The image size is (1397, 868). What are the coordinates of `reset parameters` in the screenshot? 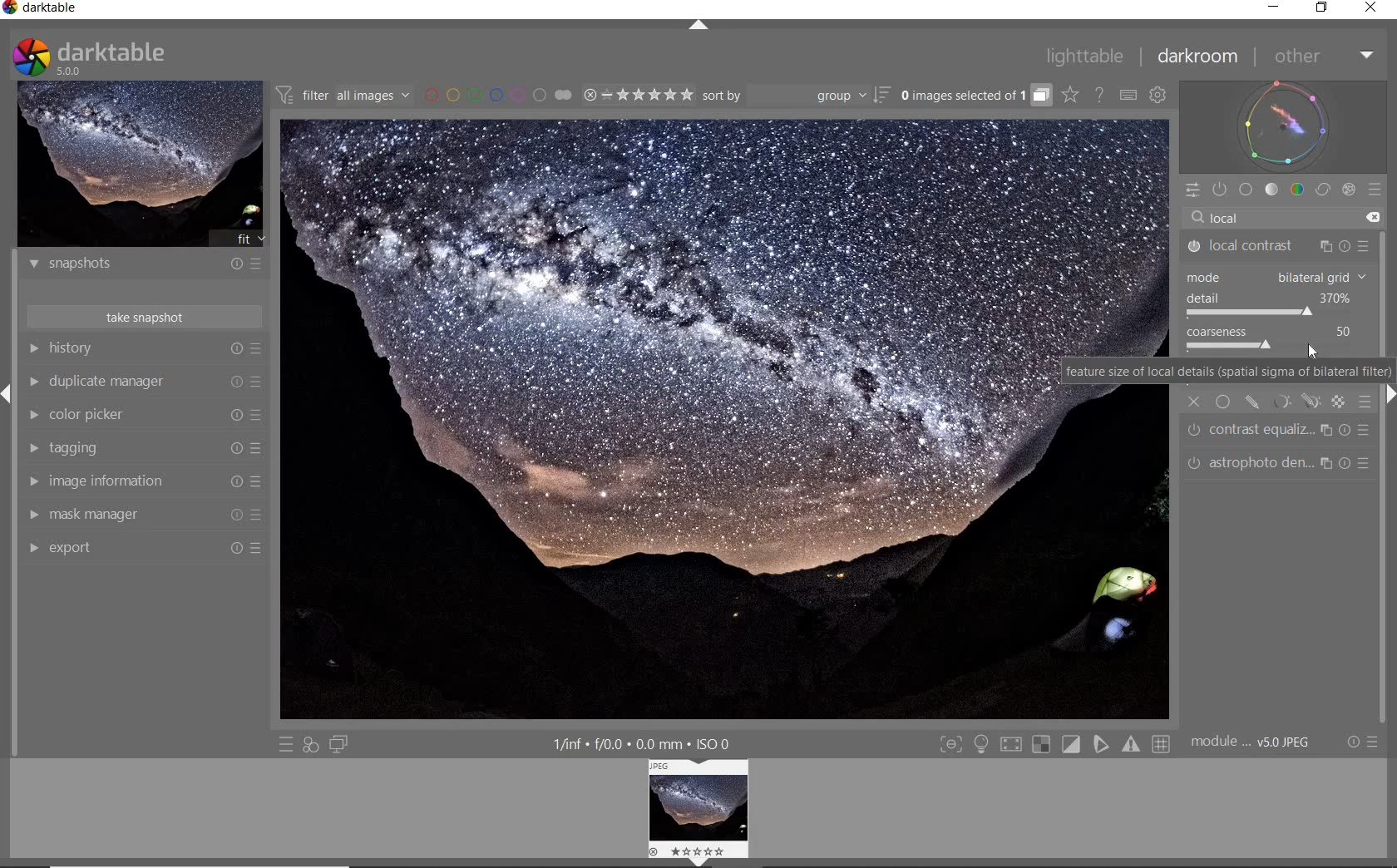 It's located at (1369, 429).